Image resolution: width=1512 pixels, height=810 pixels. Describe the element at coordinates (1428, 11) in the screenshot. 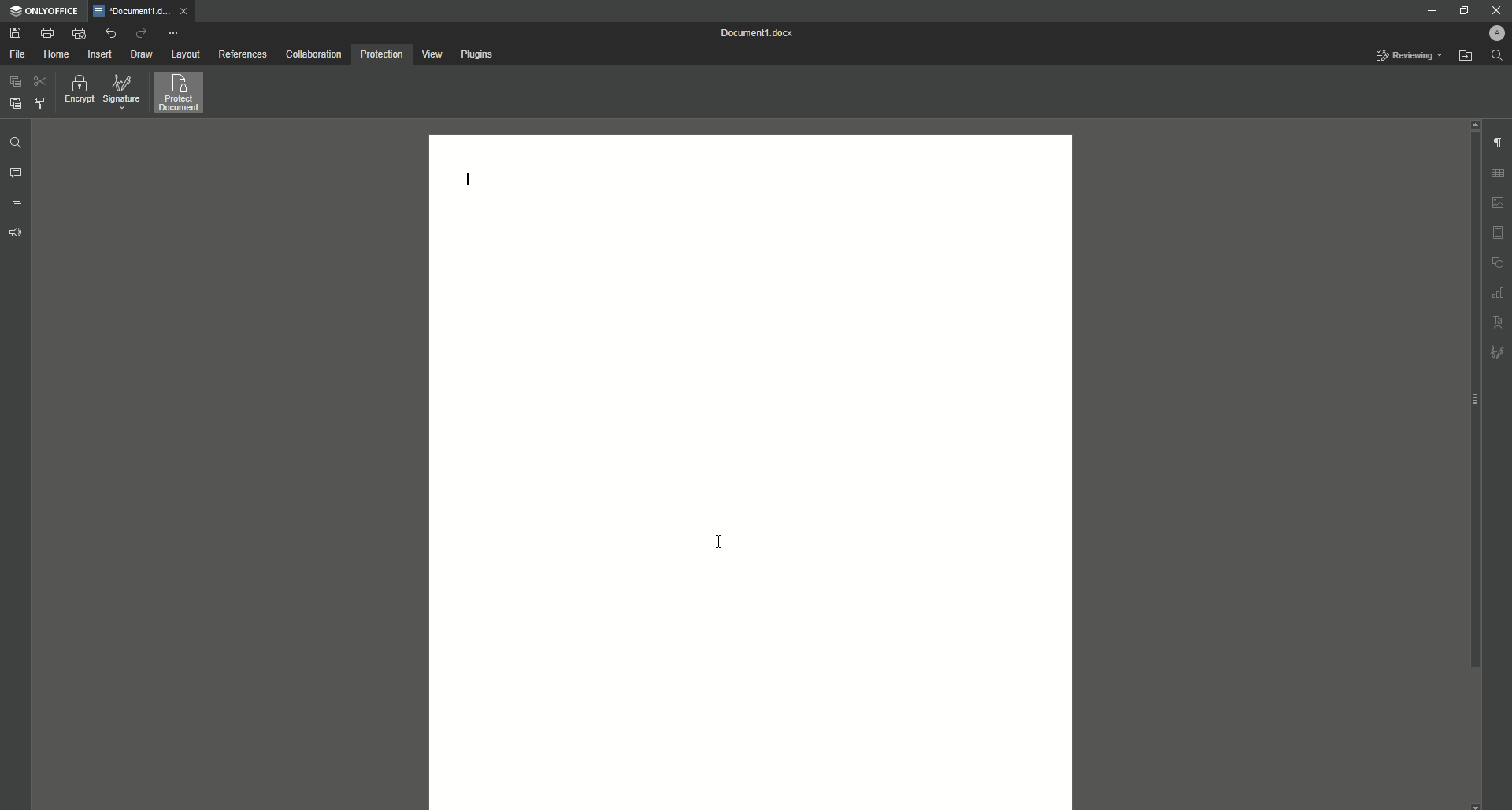

I see `Minimize` at that location.